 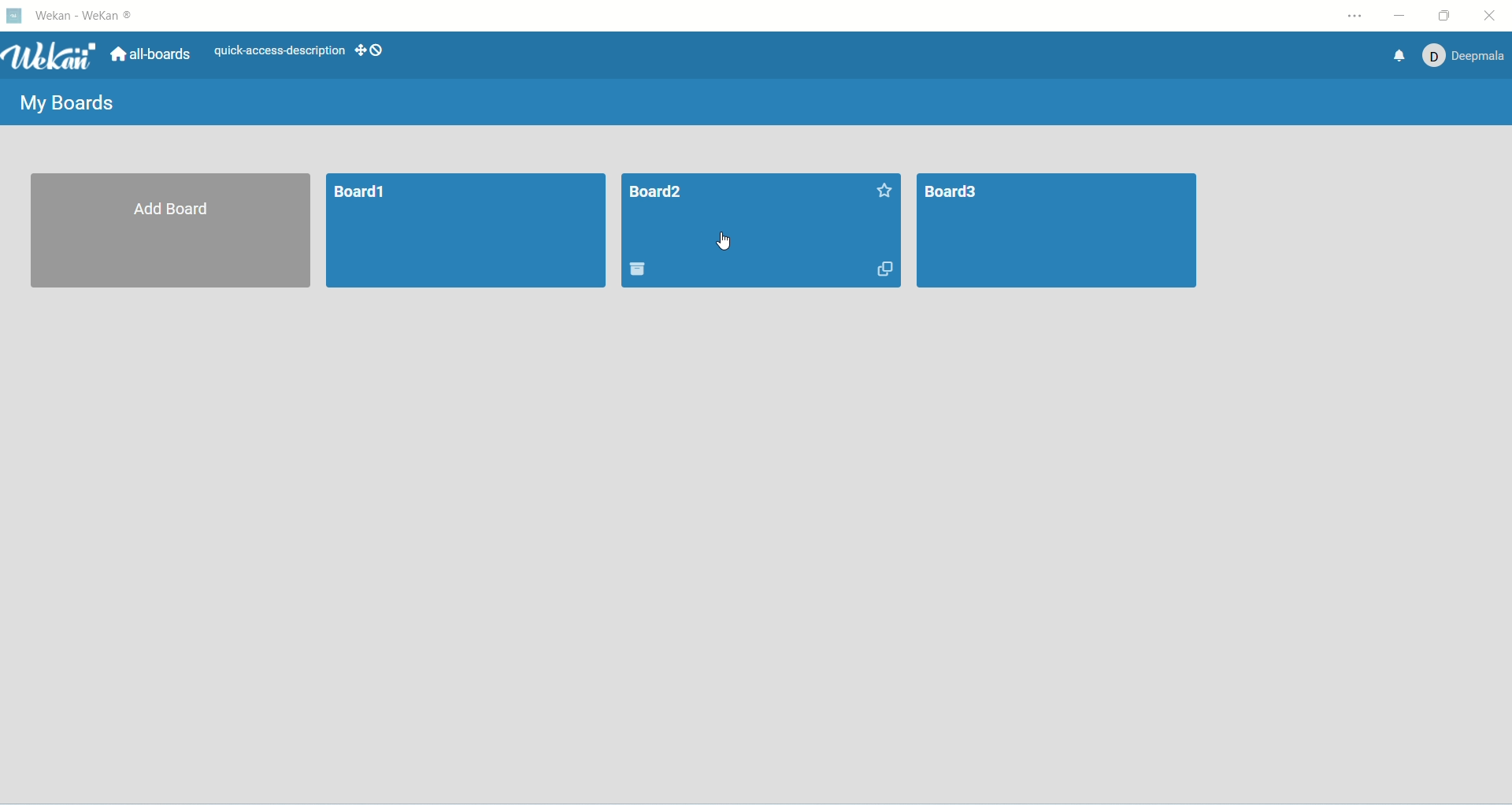 What do you see at coordinates (173, 208) in the screenshot?
I see `add board` at bounding box center [173, 208].